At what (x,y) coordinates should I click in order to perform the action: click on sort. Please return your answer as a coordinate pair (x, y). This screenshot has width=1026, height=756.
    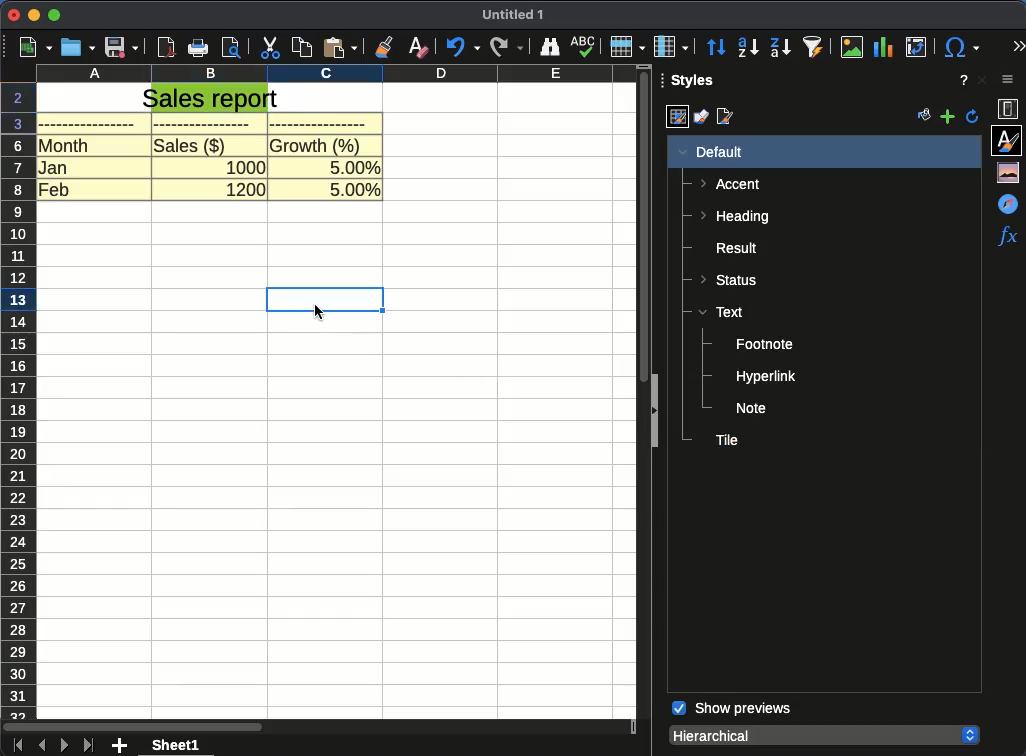
    Looking at the image, I should click on (717, 48).